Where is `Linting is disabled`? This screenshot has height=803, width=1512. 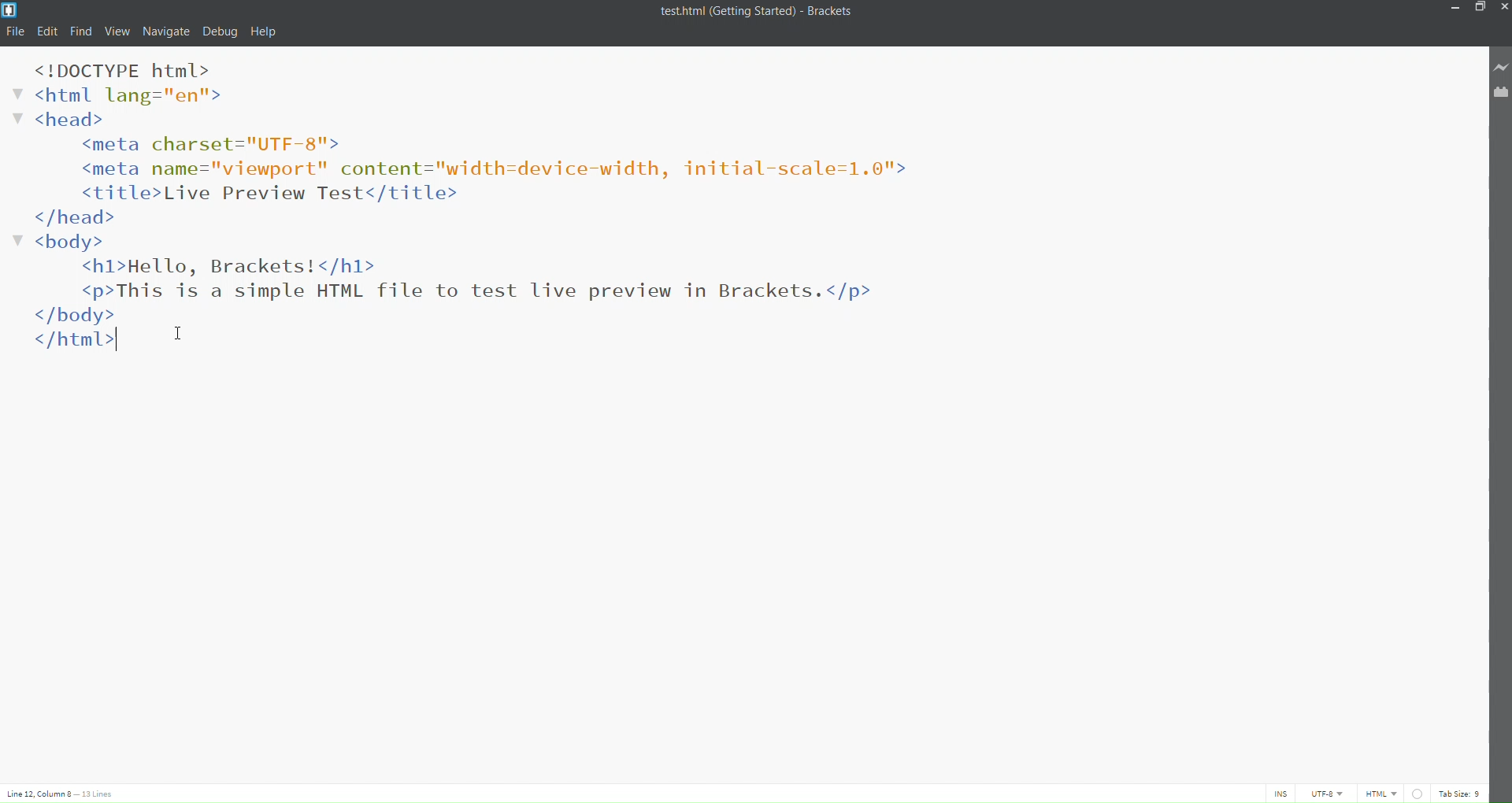 Linting is disabled is located at coordinates (1417, 793).